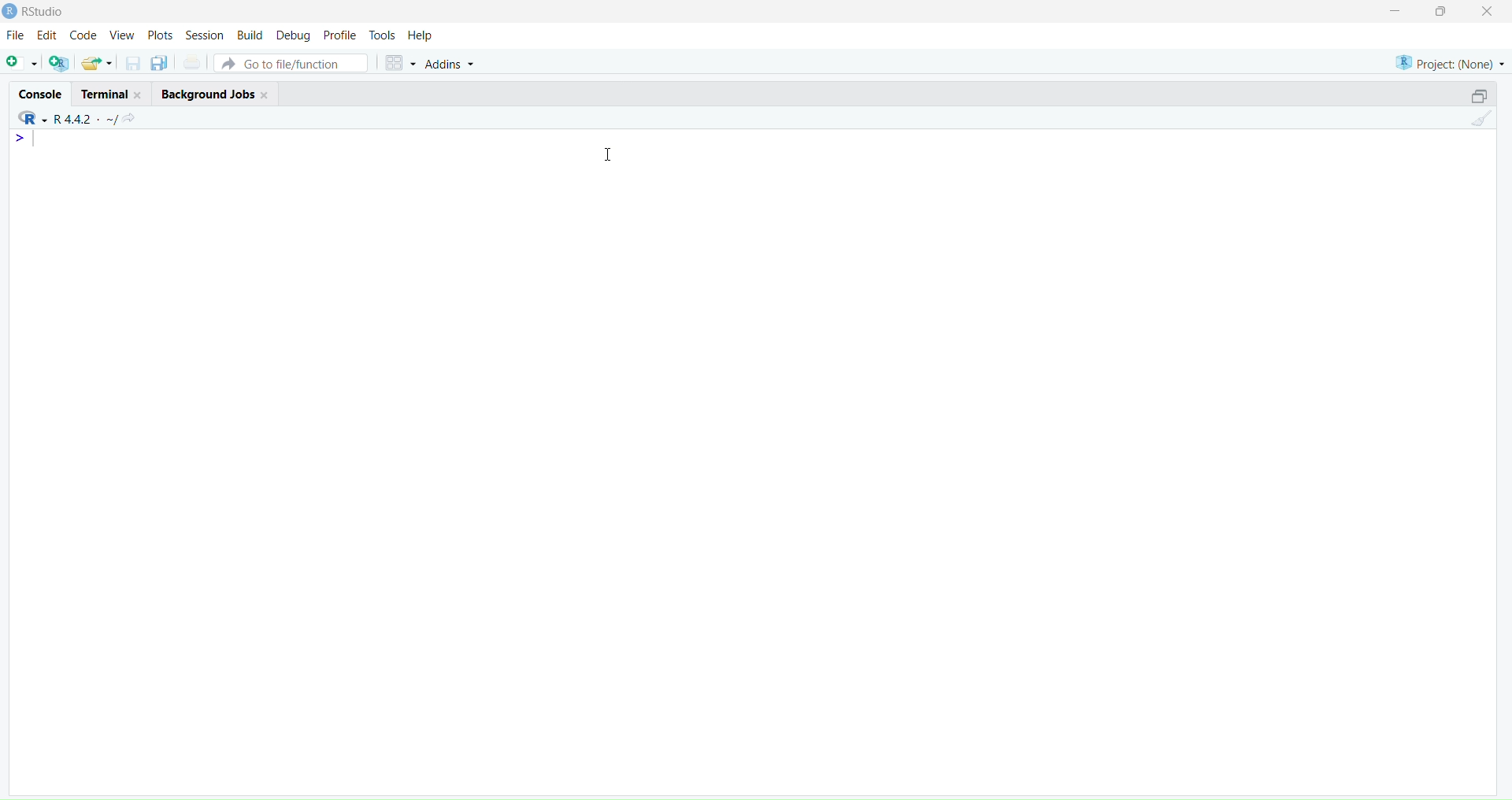  What do you see at coordinates (87, 117) in the screenshot?
I see `- R442 - ~/` at bounding box center [87, 117].